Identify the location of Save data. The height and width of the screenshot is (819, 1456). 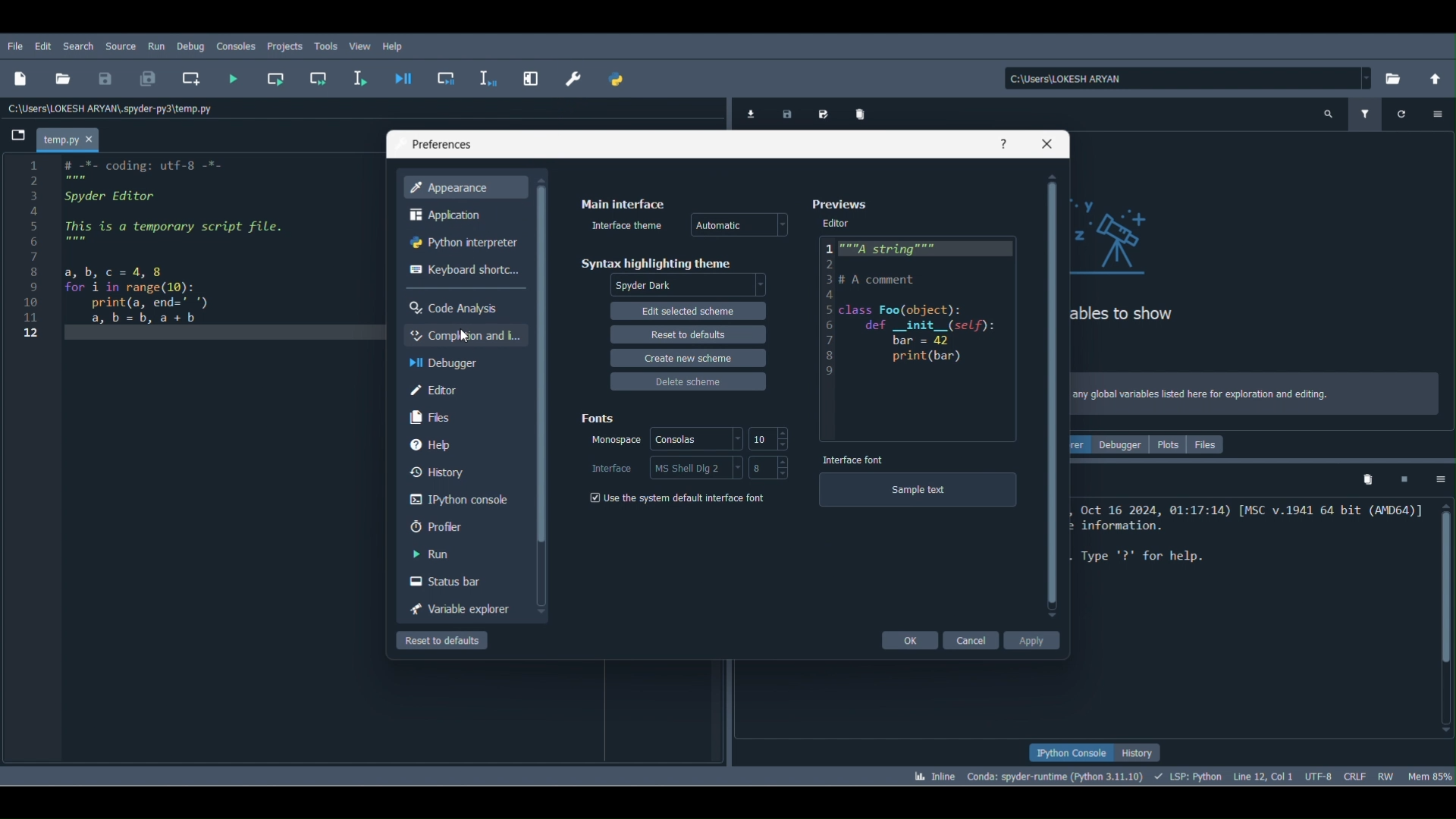
(784, 115).